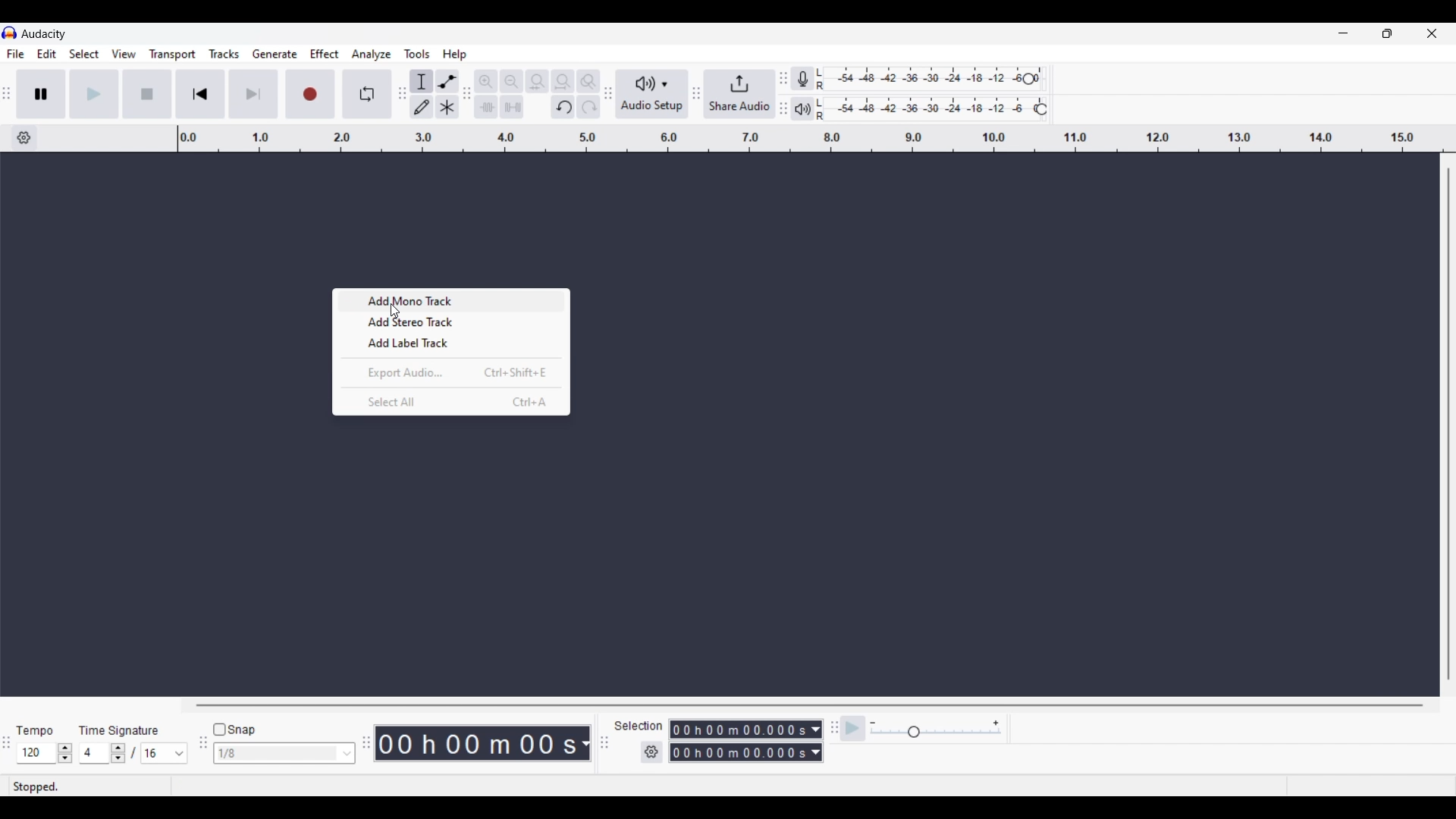  What do you see at coordinates (34, 730) in the screenshot?
I see `Tempo` at bounding box center [34, 730].